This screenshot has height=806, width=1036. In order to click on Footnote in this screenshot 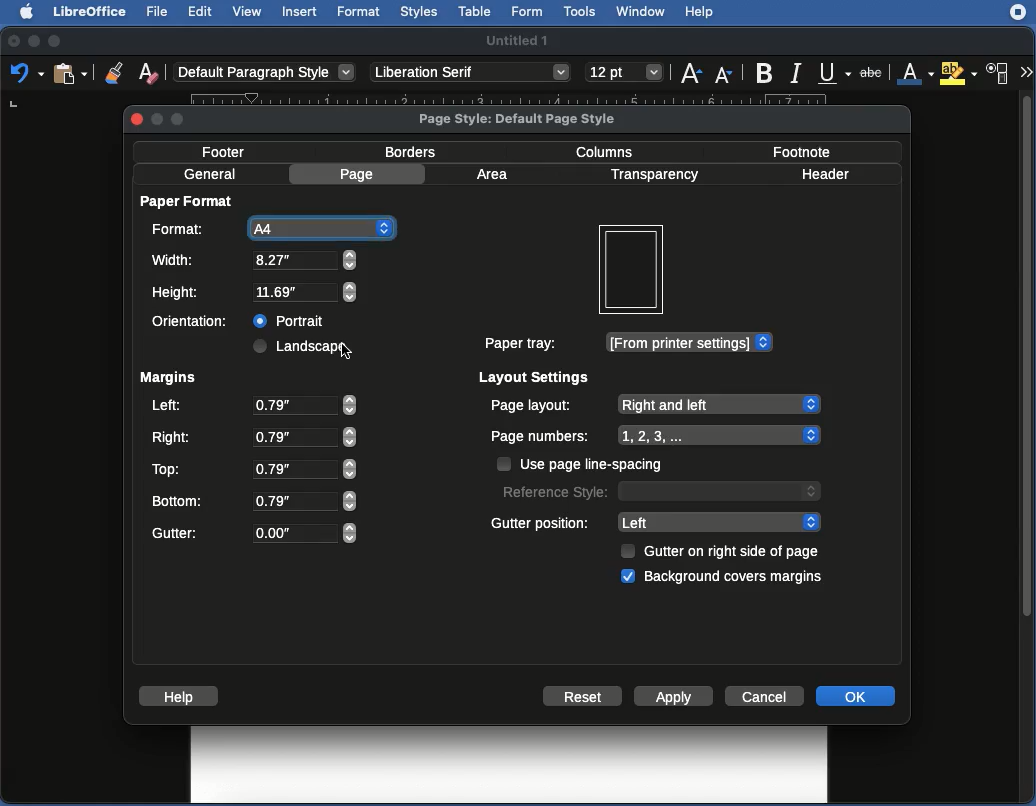, I will do `click(802, 150)`.